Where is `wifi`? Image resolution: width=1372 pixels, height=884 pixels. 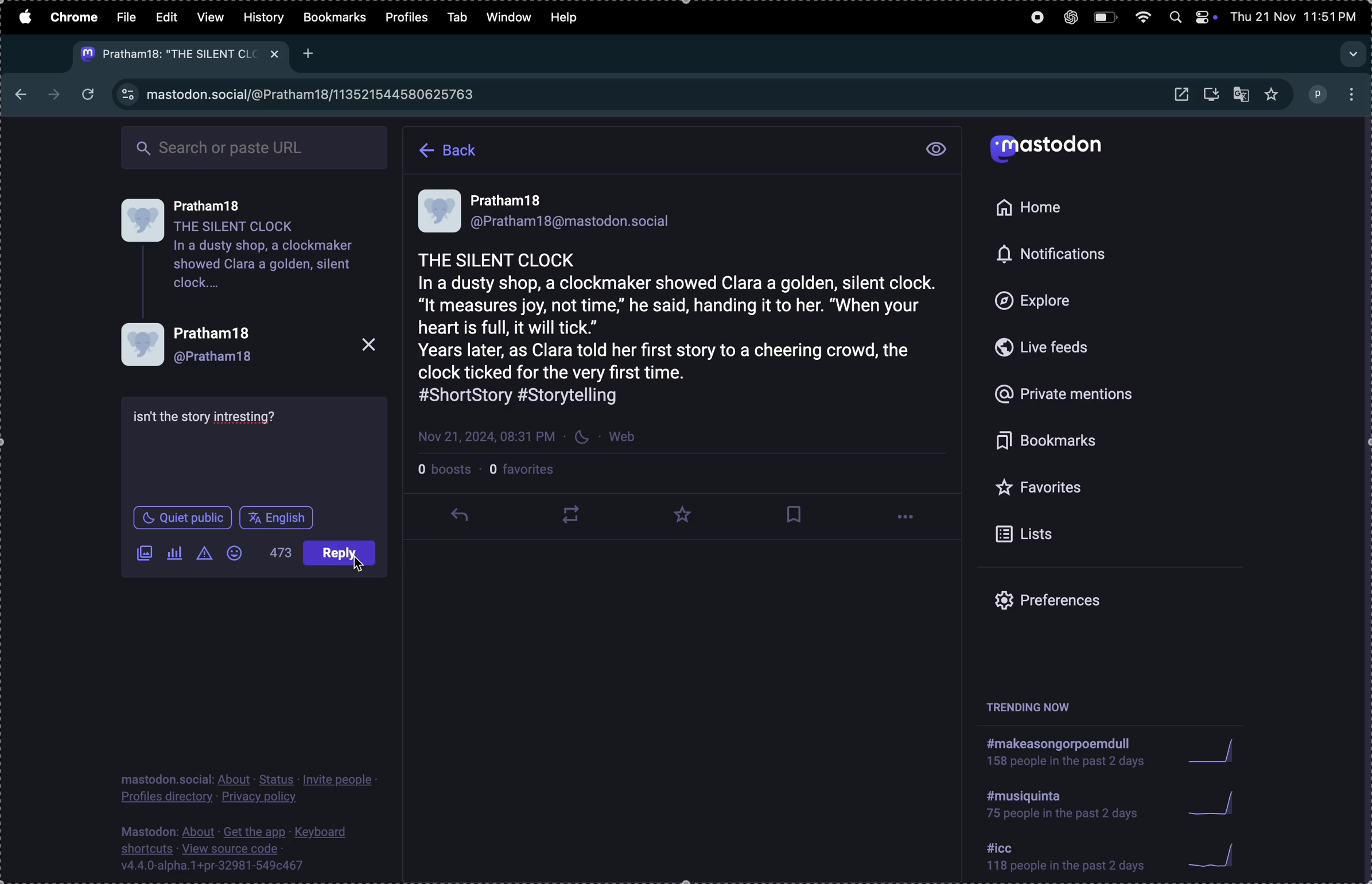 wifi is located at coordinates (1144, 18).